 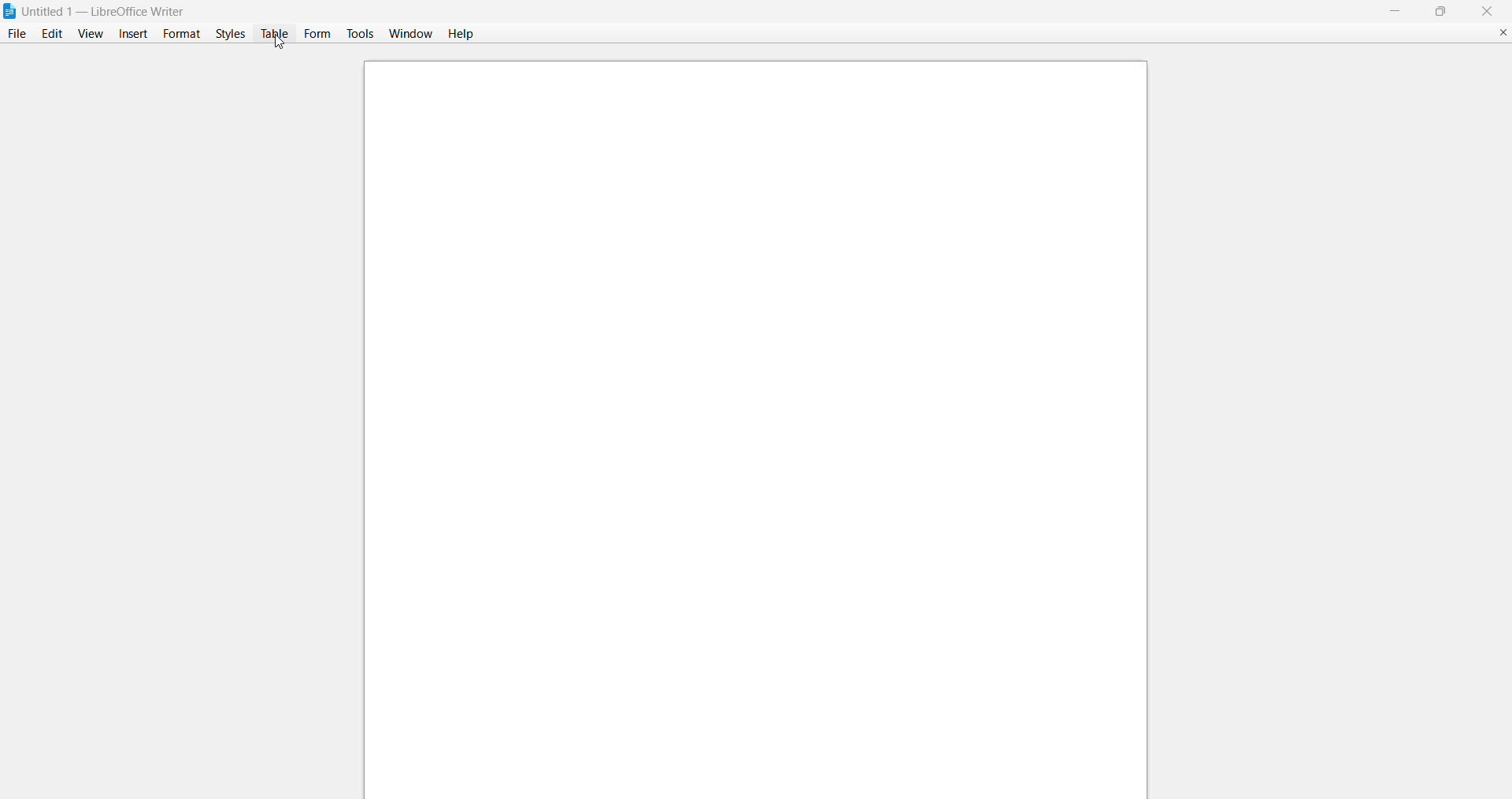 I want to click on form, so click(x=317, y=33).